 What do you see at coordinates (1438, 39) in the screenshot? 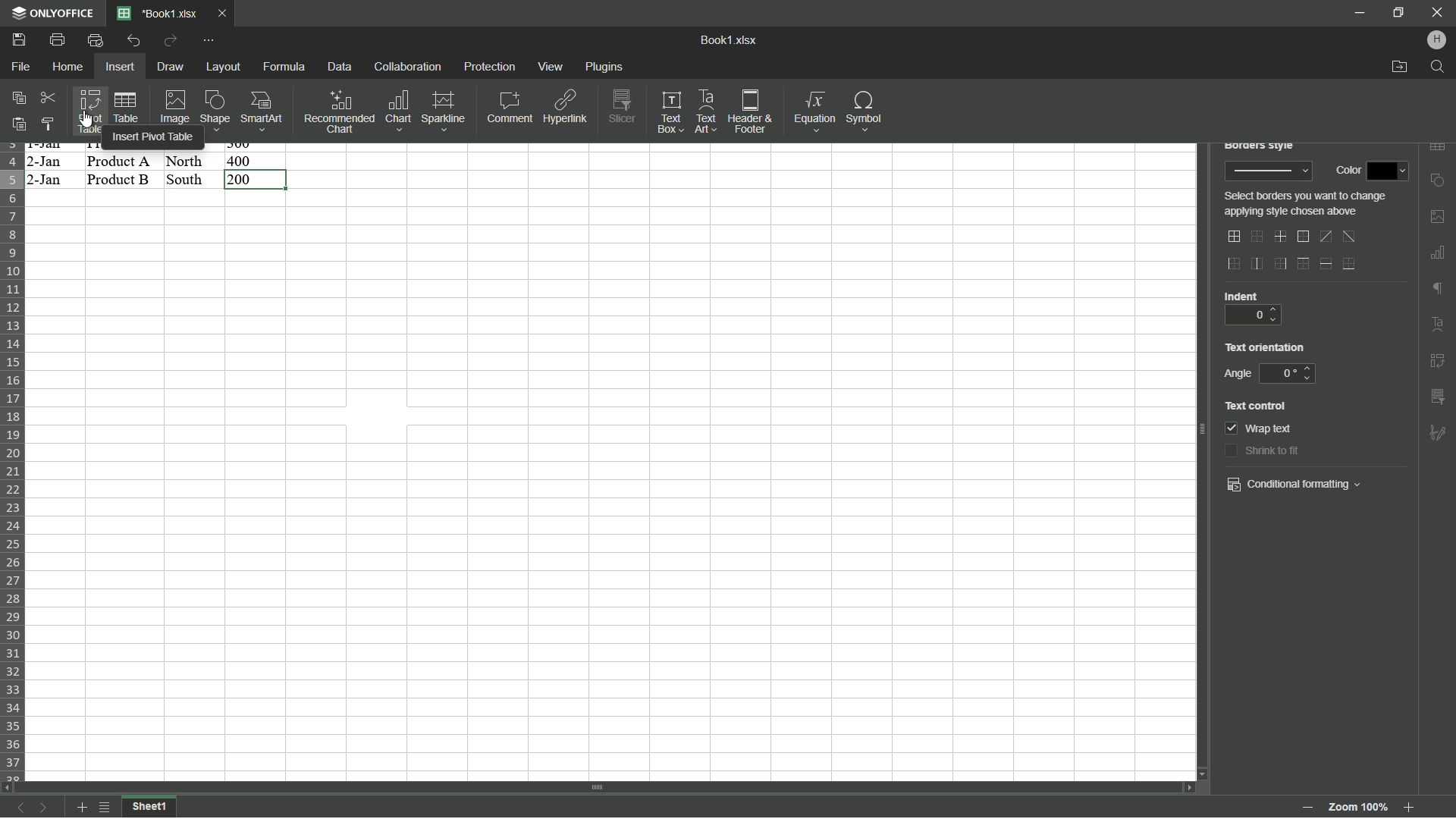
I see `hp` at bounding box center [1438, 39].